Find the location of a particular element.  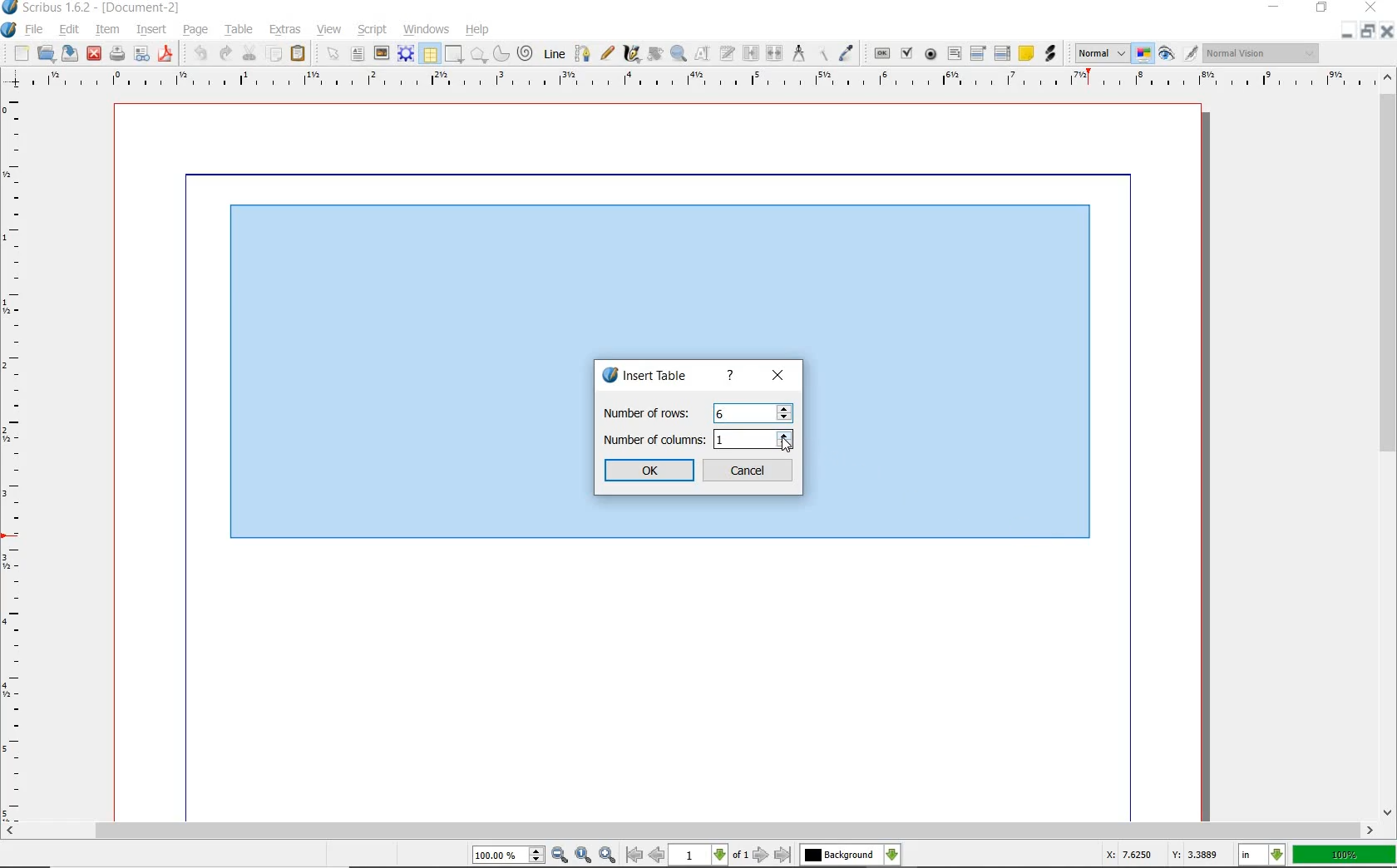

eye dropper is located at coordinates (846, 52).